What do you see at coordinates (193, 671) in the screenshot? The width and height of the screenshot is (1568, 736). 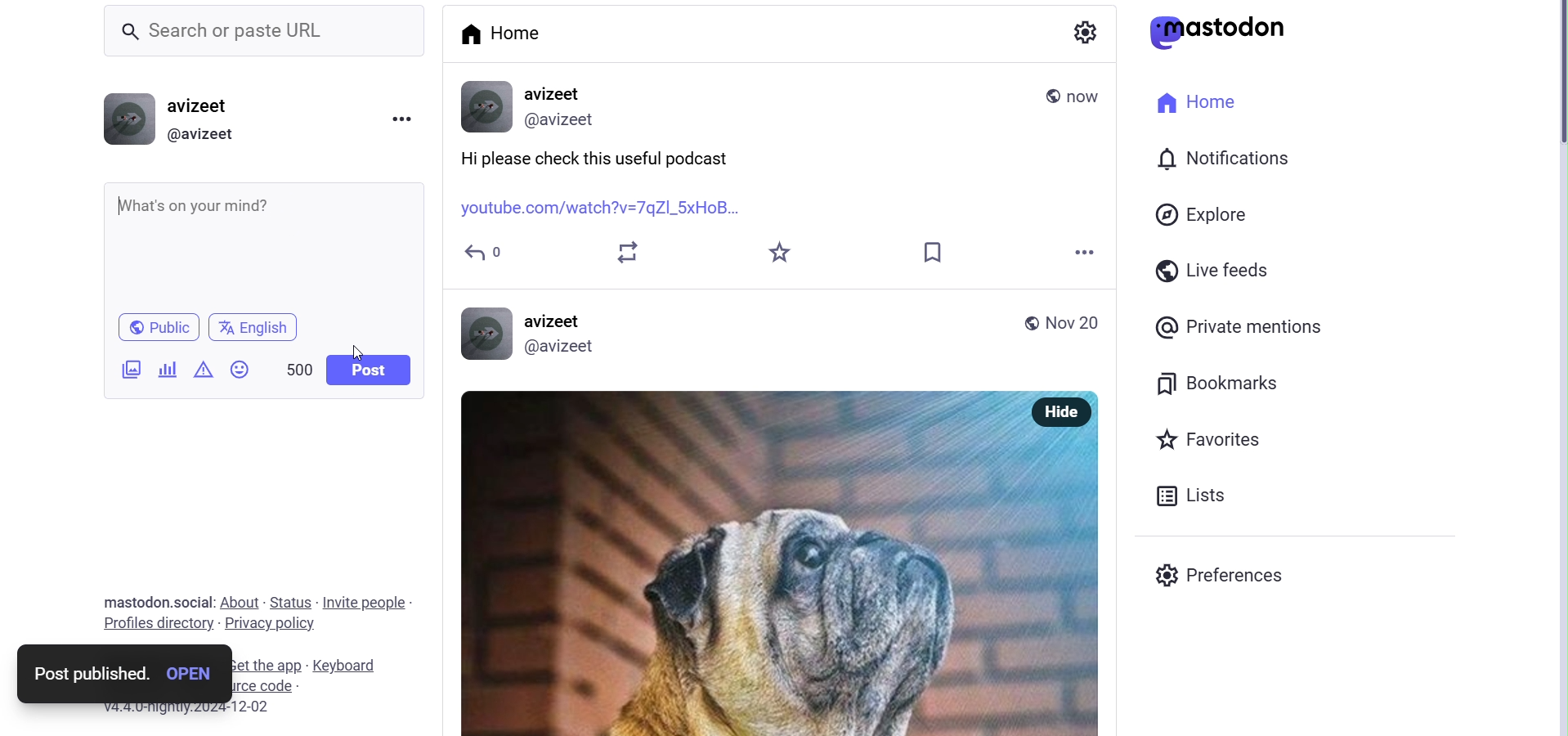 I see `open ` at bounding box center [193, 671].